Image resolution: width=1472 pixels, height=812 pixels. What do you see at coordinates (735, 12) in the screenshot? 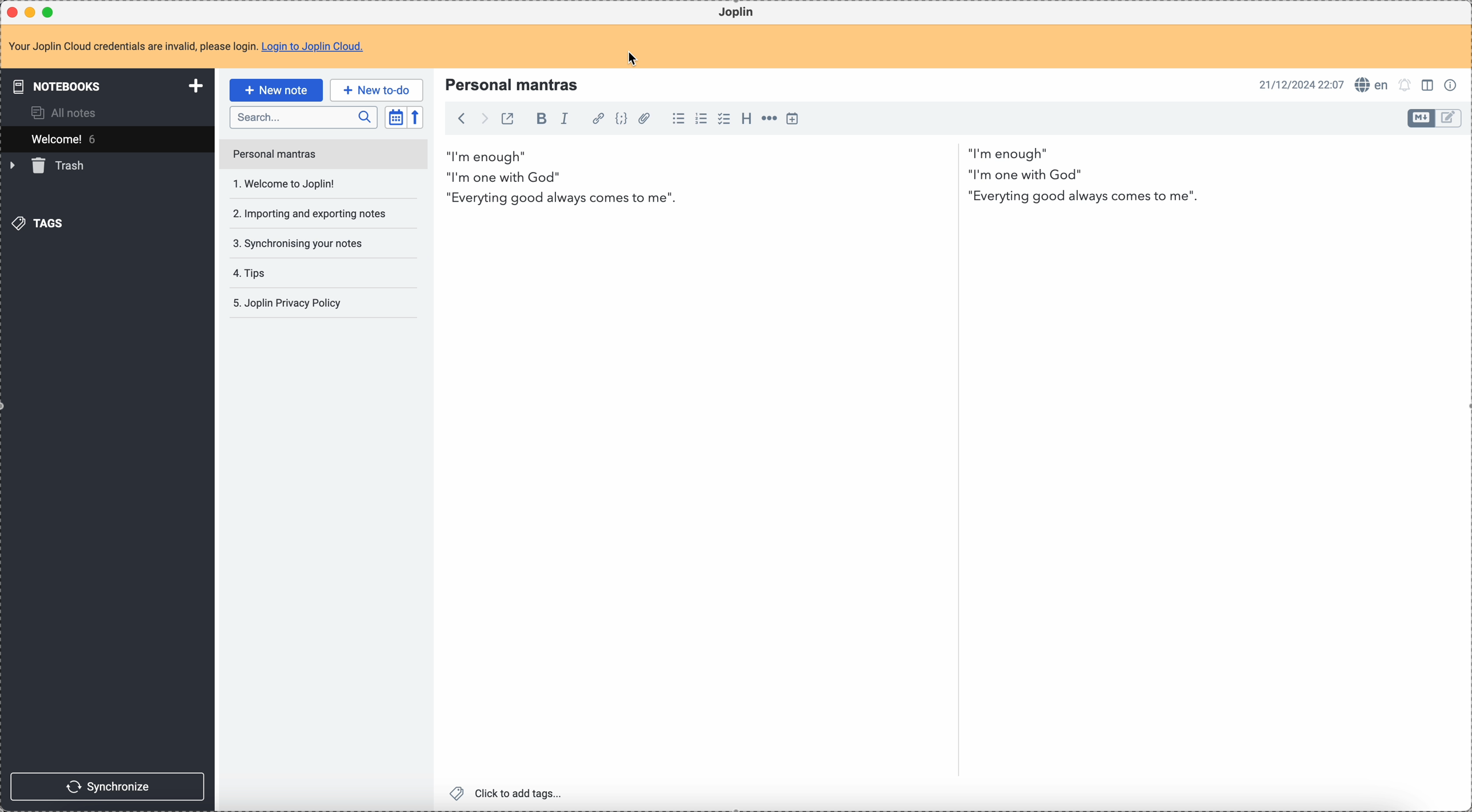
I see `Joplin` at bounding box center [735, 12].